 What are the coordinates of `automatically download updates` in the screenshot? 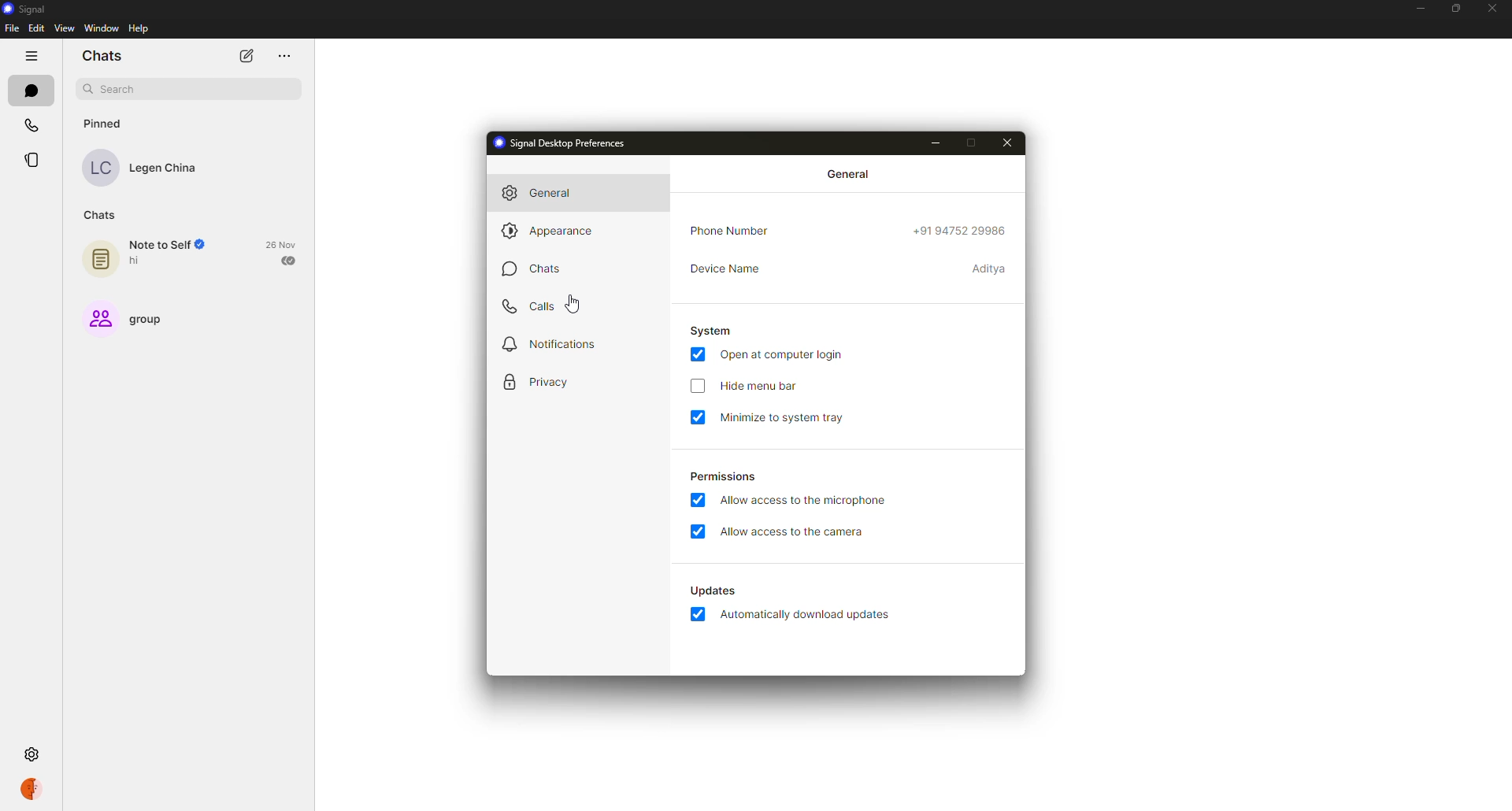 It's located at (713, 591).